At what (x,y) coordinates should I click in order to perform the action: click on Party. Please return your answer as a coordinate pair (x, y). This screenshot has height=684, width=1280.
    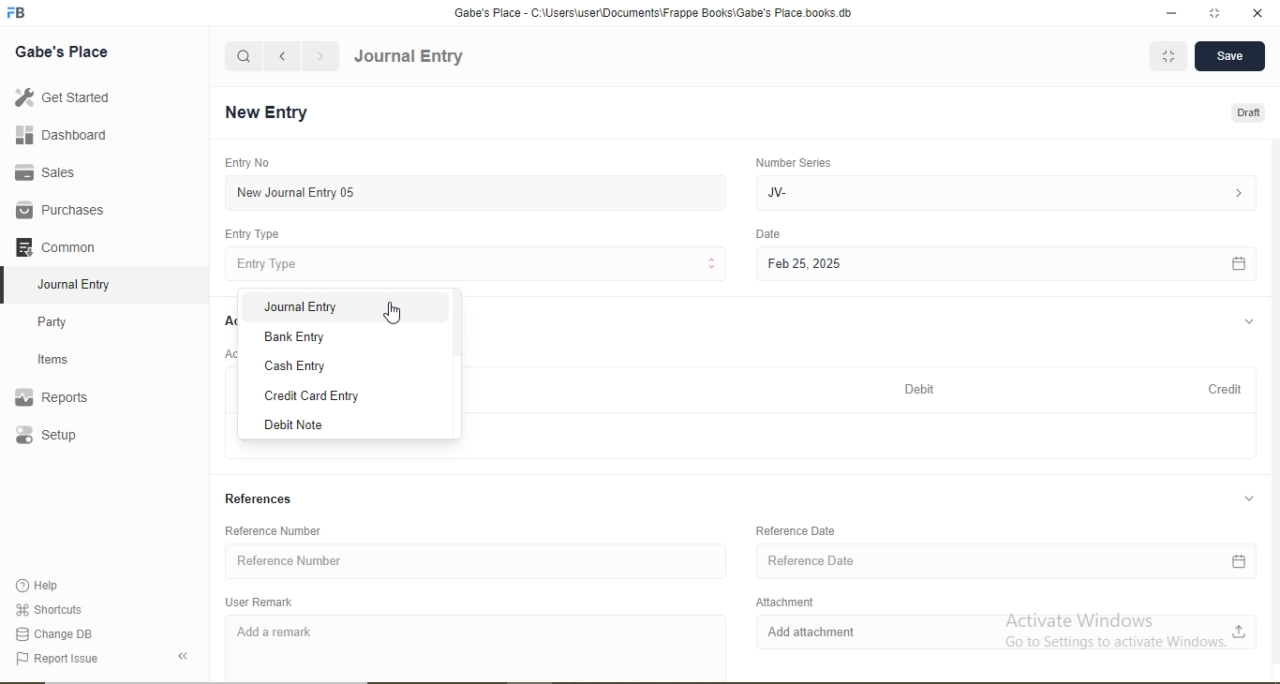
    Looking at the image, I should click on (66, 320).